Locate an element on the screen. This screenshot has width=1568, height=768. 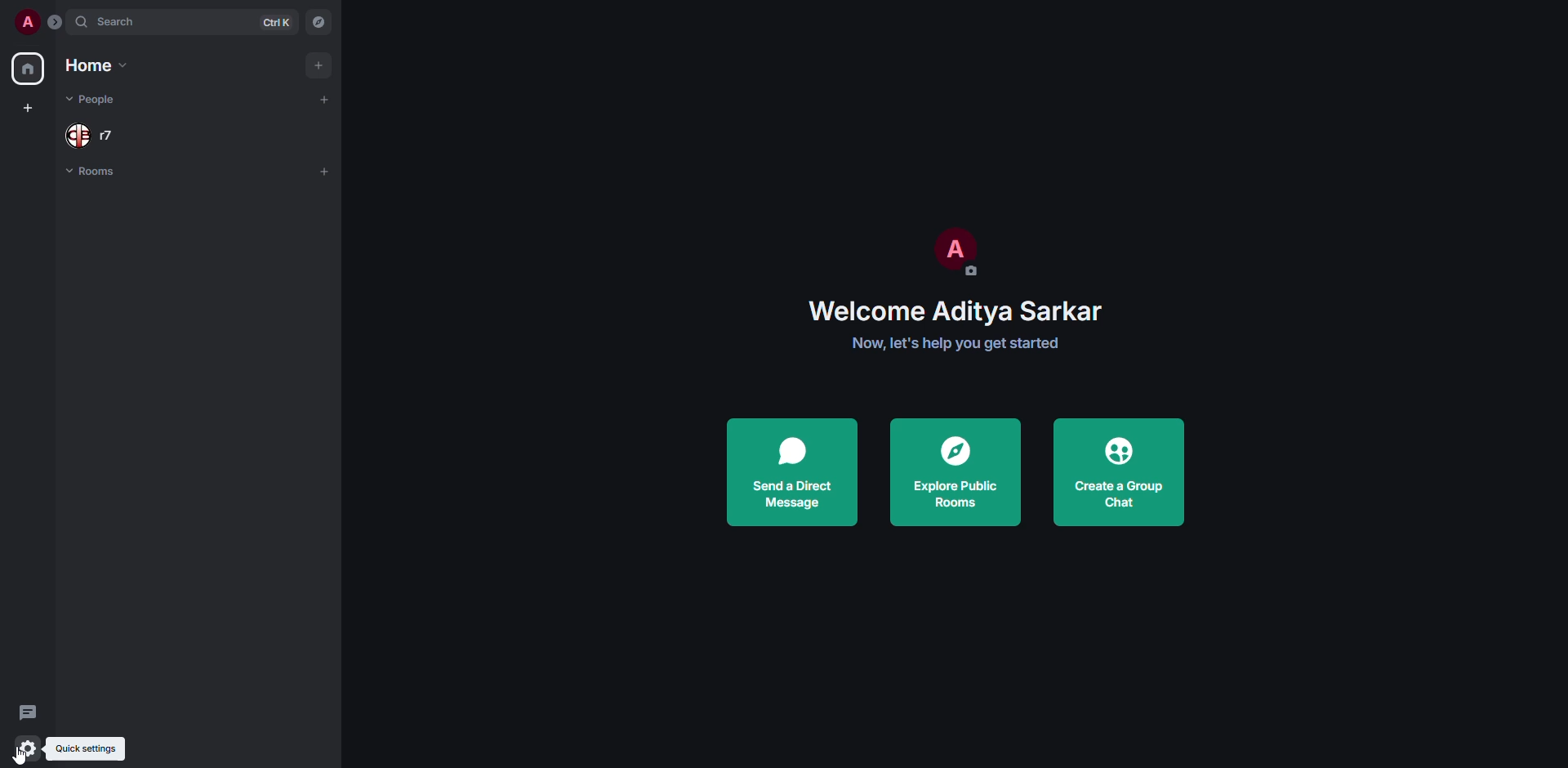
ctrl K is located at coordinates (278, 20).